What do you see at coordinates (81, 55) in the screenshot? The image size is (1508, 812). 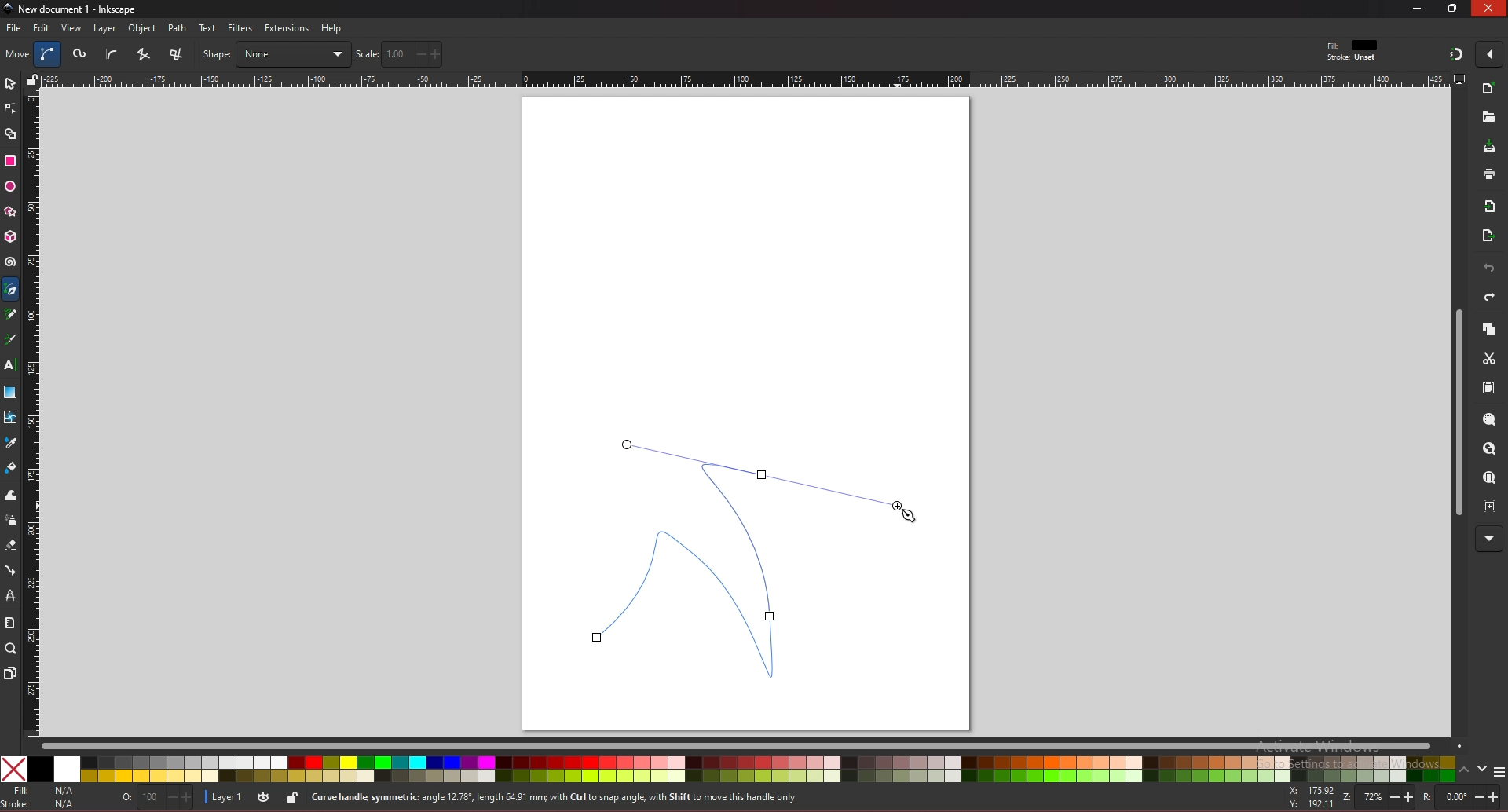 I see `spiro path` at bounding box center [81, 55].